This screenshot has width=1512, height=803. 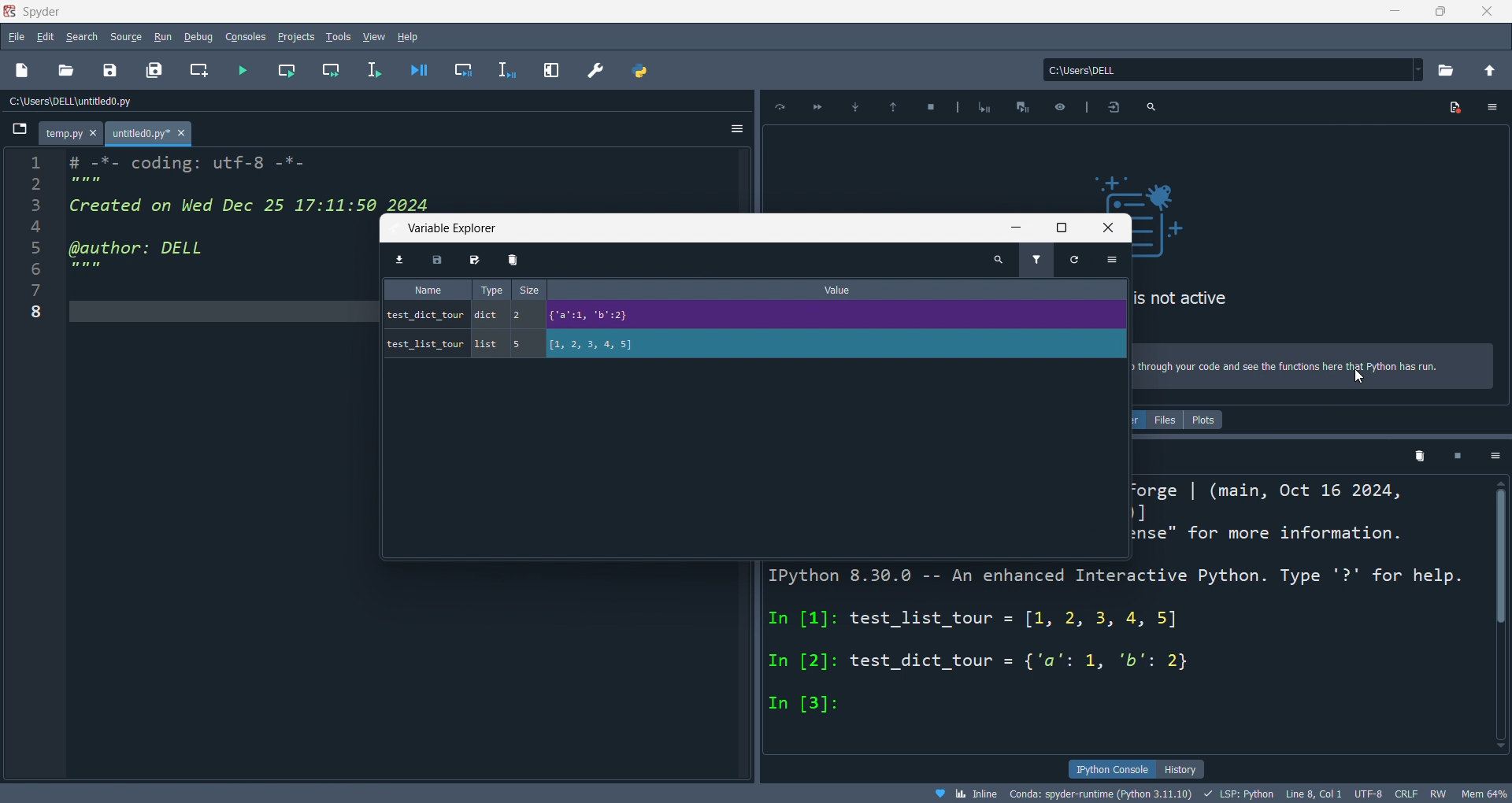 I want to click on delete, so click(x=517, y=261).